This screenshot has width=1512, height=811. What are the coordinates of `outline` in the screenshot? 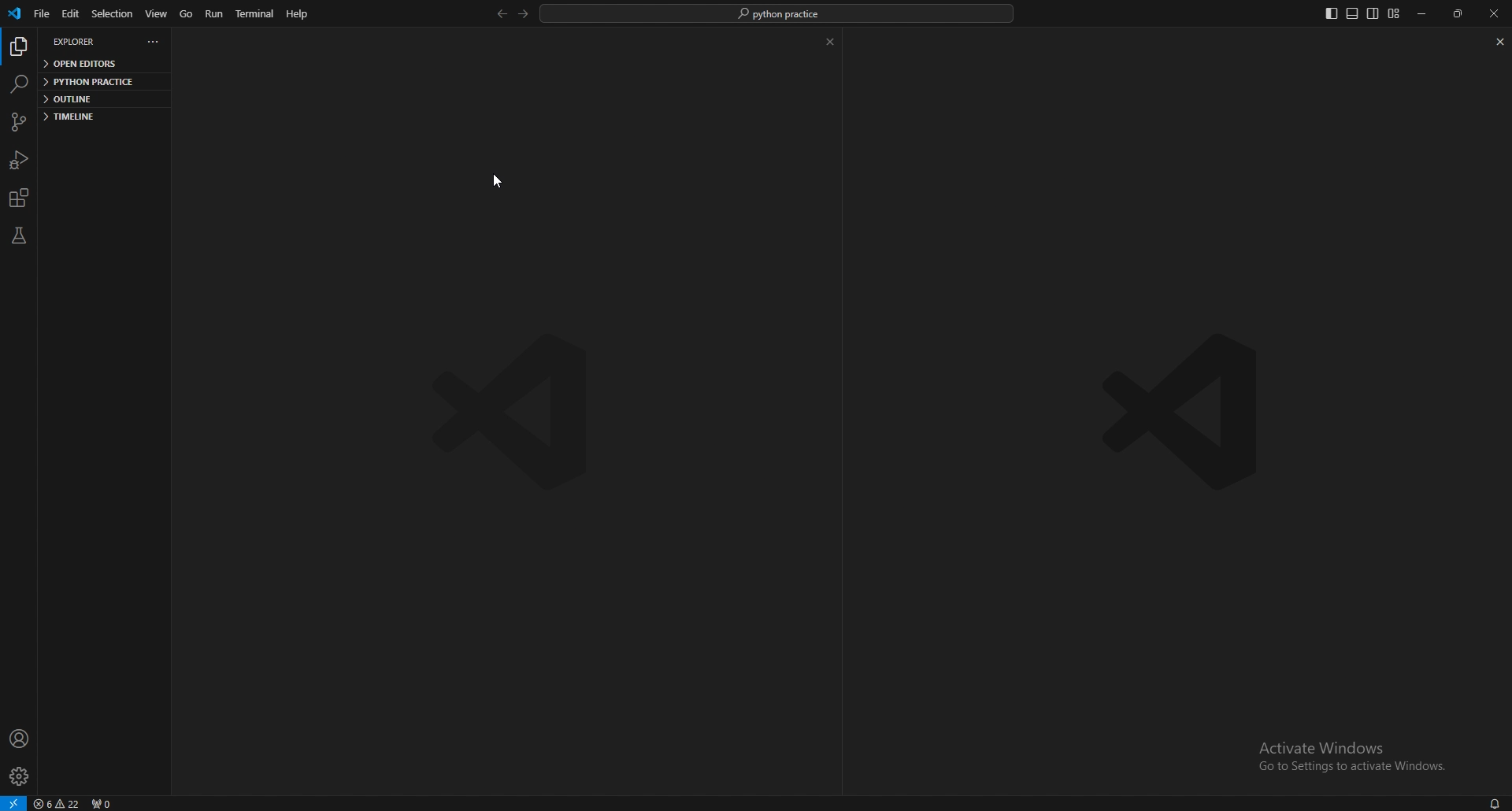 It's located at (98, 98).